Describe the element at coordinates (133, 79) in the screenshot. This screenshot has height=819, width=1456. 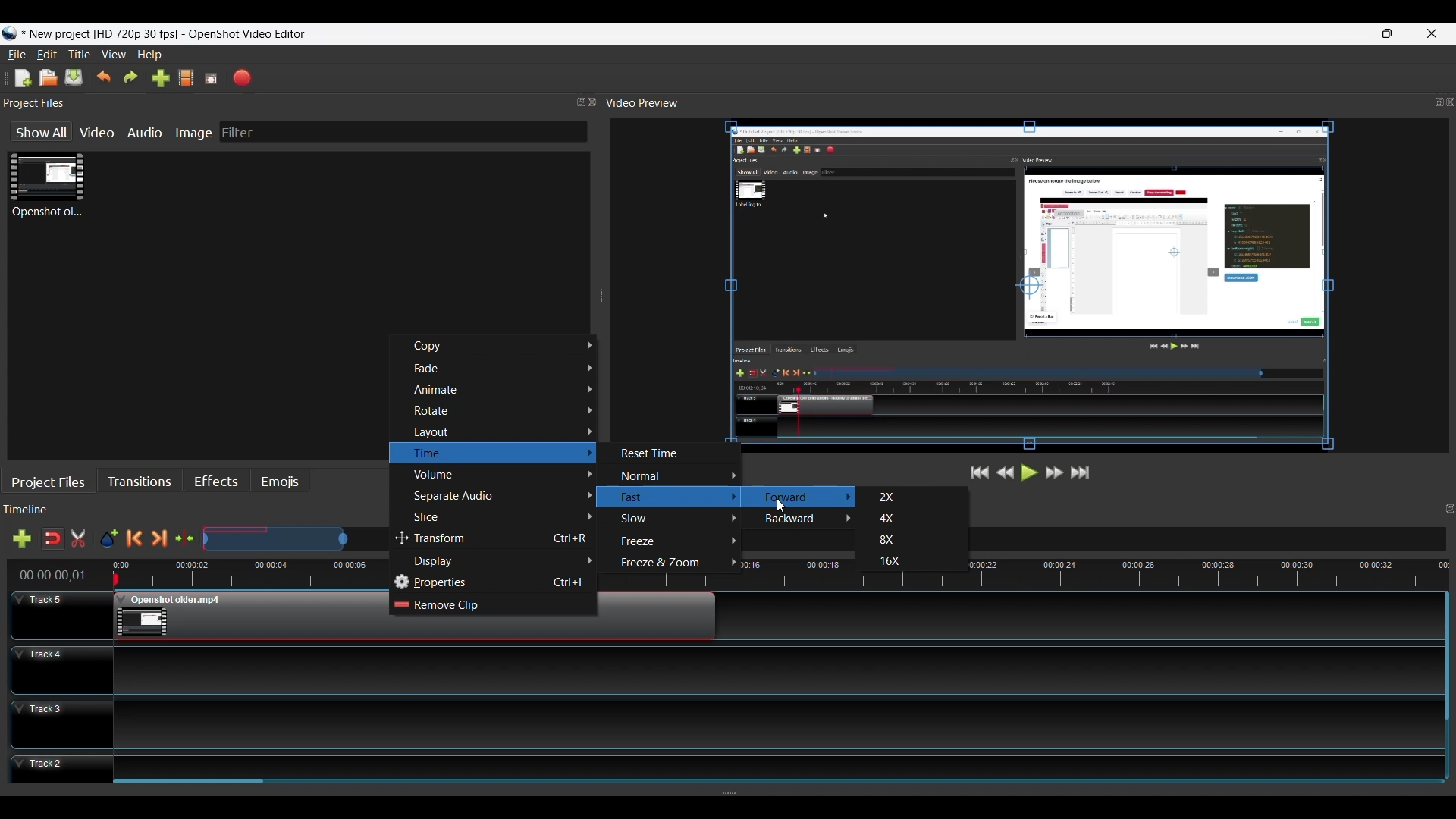
I see `Redo` at that location.